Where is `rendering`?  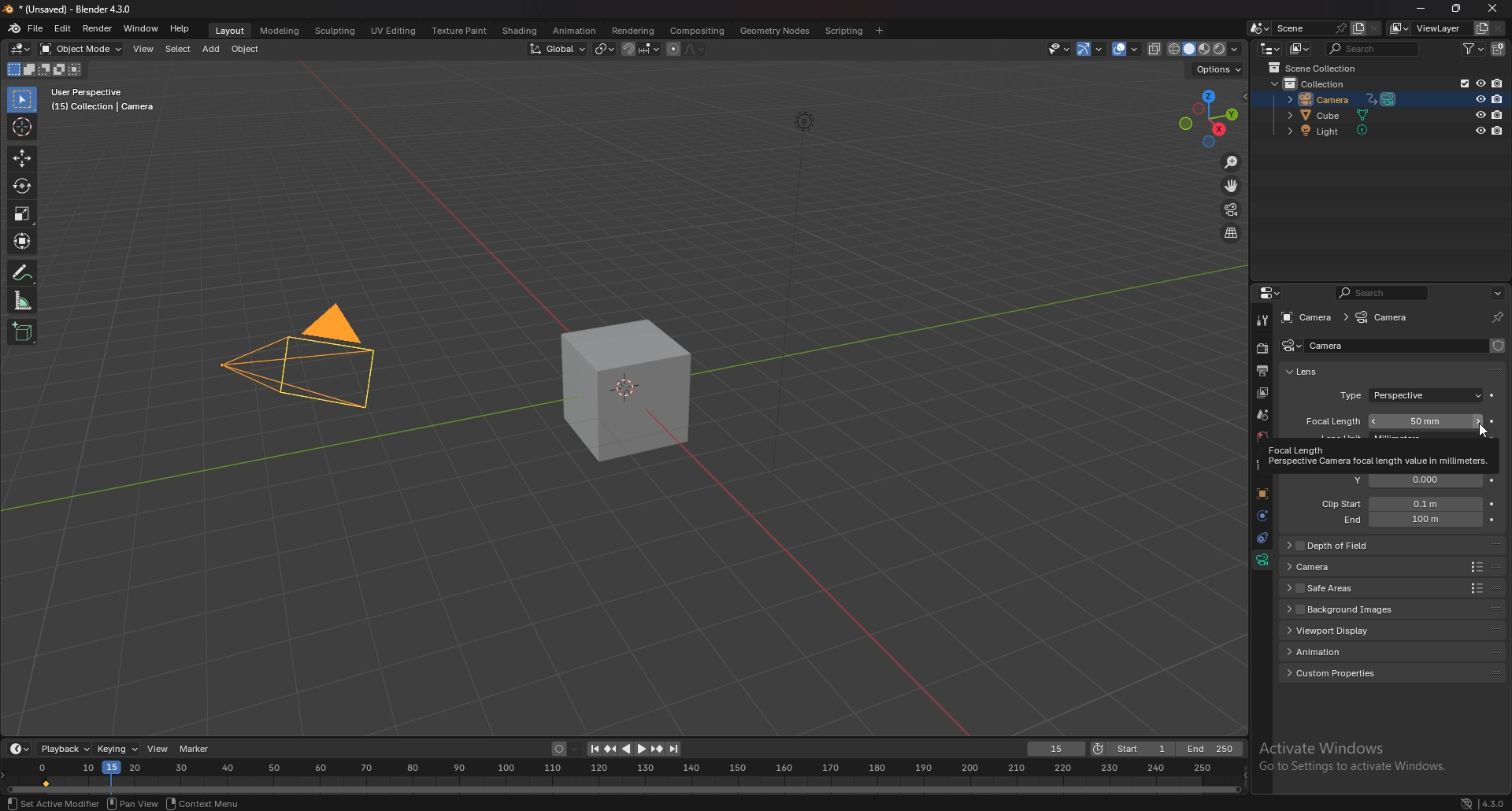
rendering is located at coordinates (633, 31).